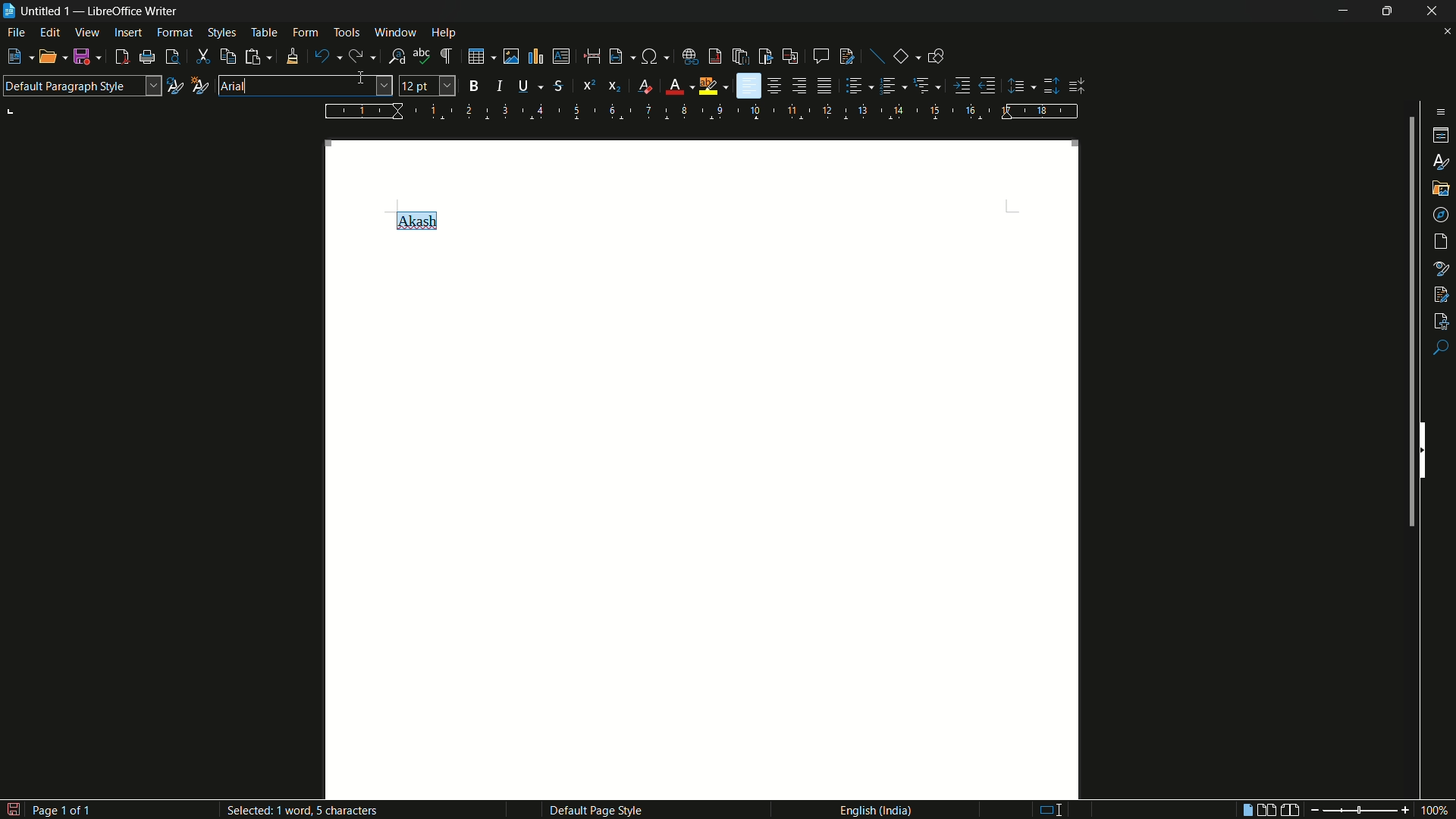 The image size is (1456, 819). Describe the element at coordinates (1442, 319) in the screenshot. I see `accessibility check` at that location.